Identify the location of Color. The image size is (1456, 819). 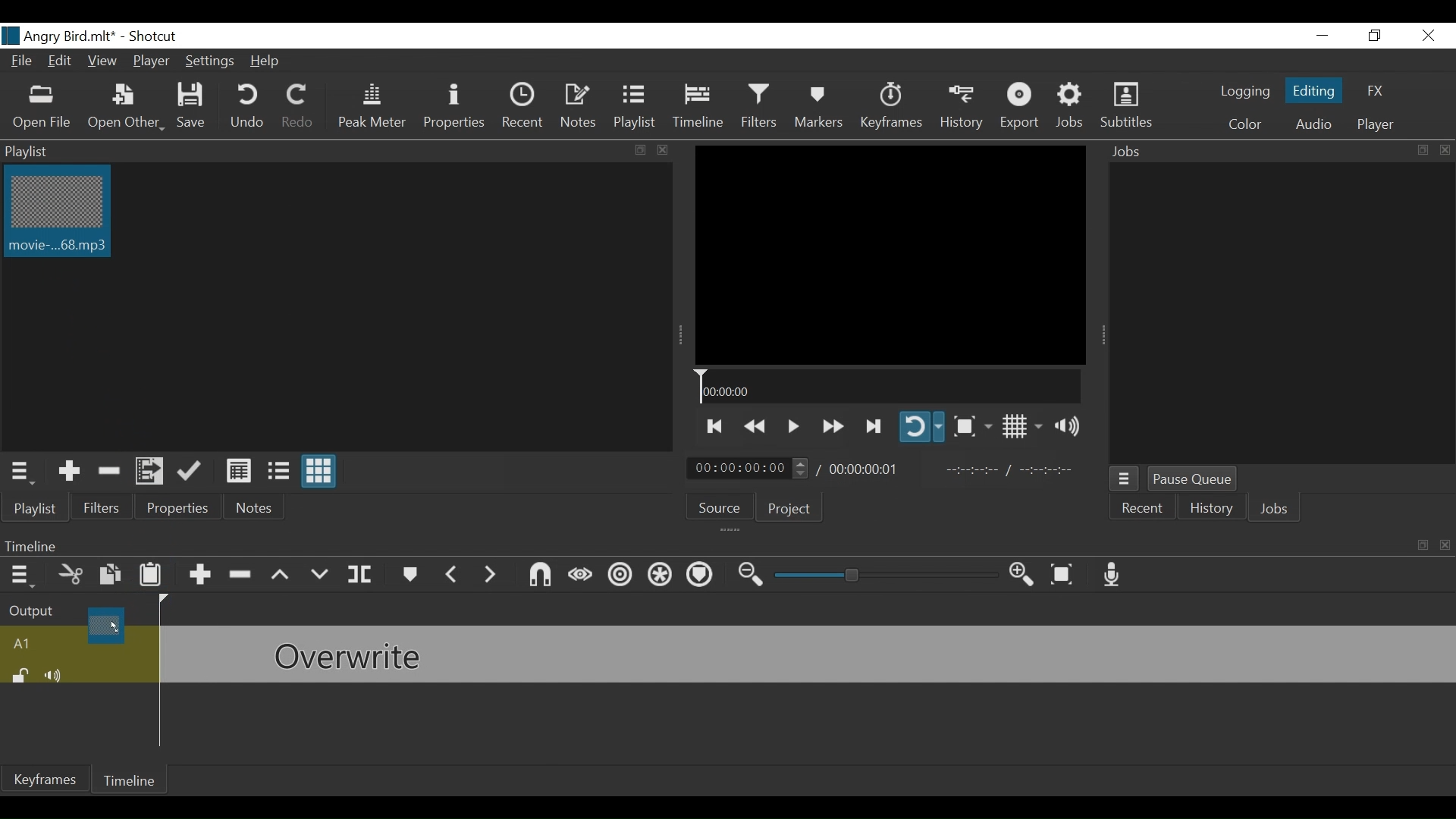
(1244, 125).